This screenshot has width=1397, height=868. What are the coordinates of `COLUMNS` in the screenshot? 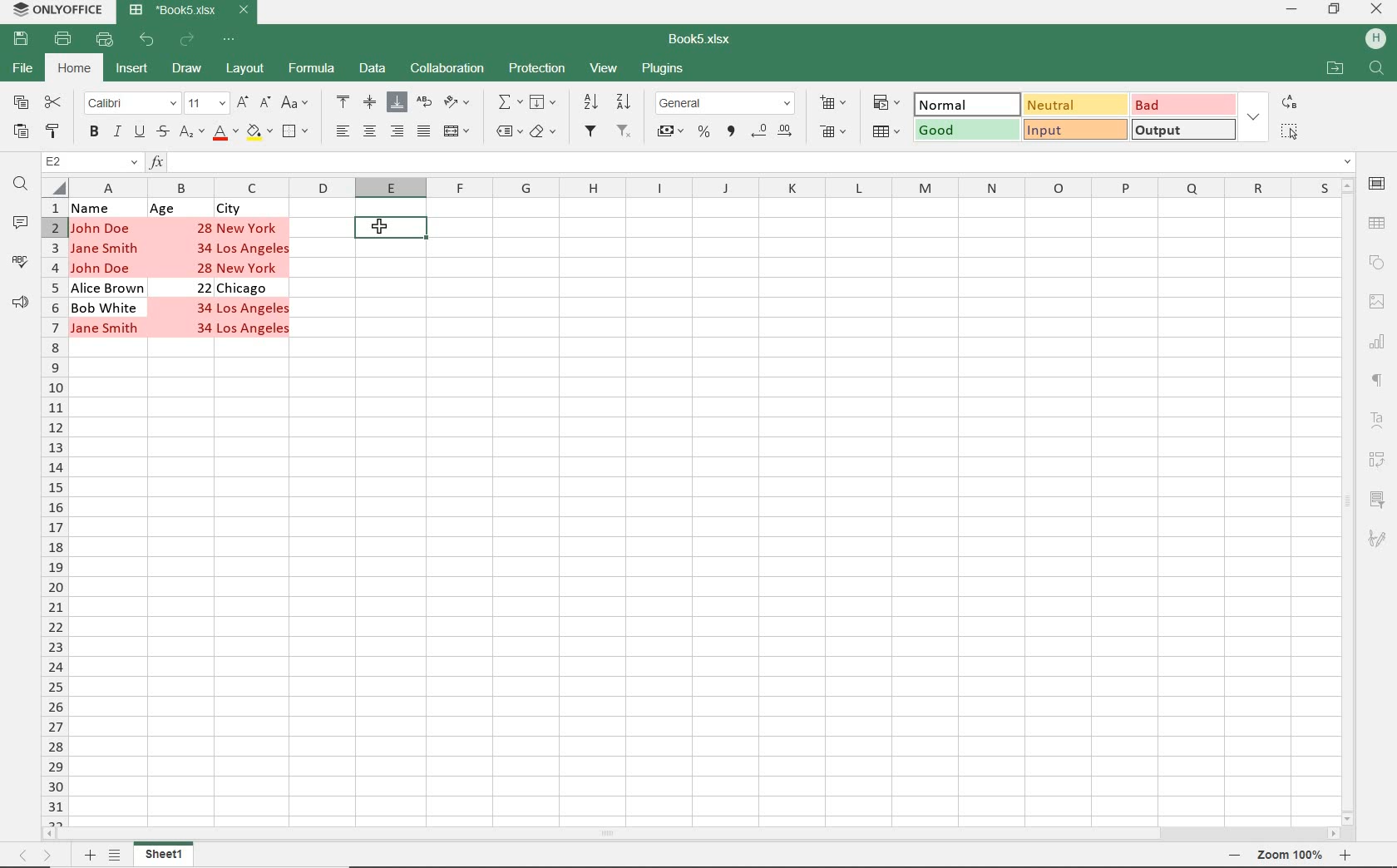 It's located at (703, 187).